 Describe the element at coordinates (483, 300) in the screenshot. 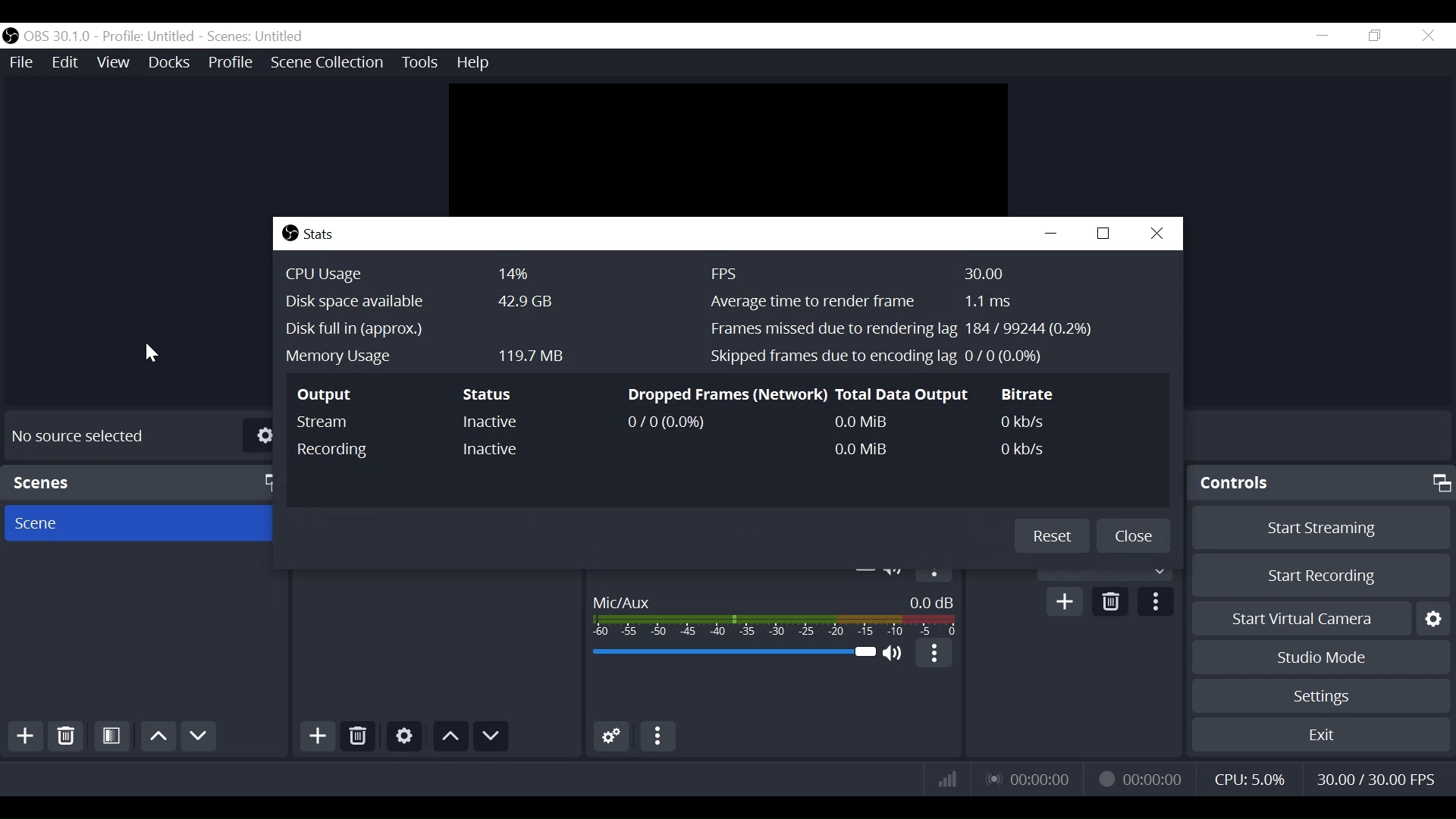

I see `Disk Space Available` at that location.